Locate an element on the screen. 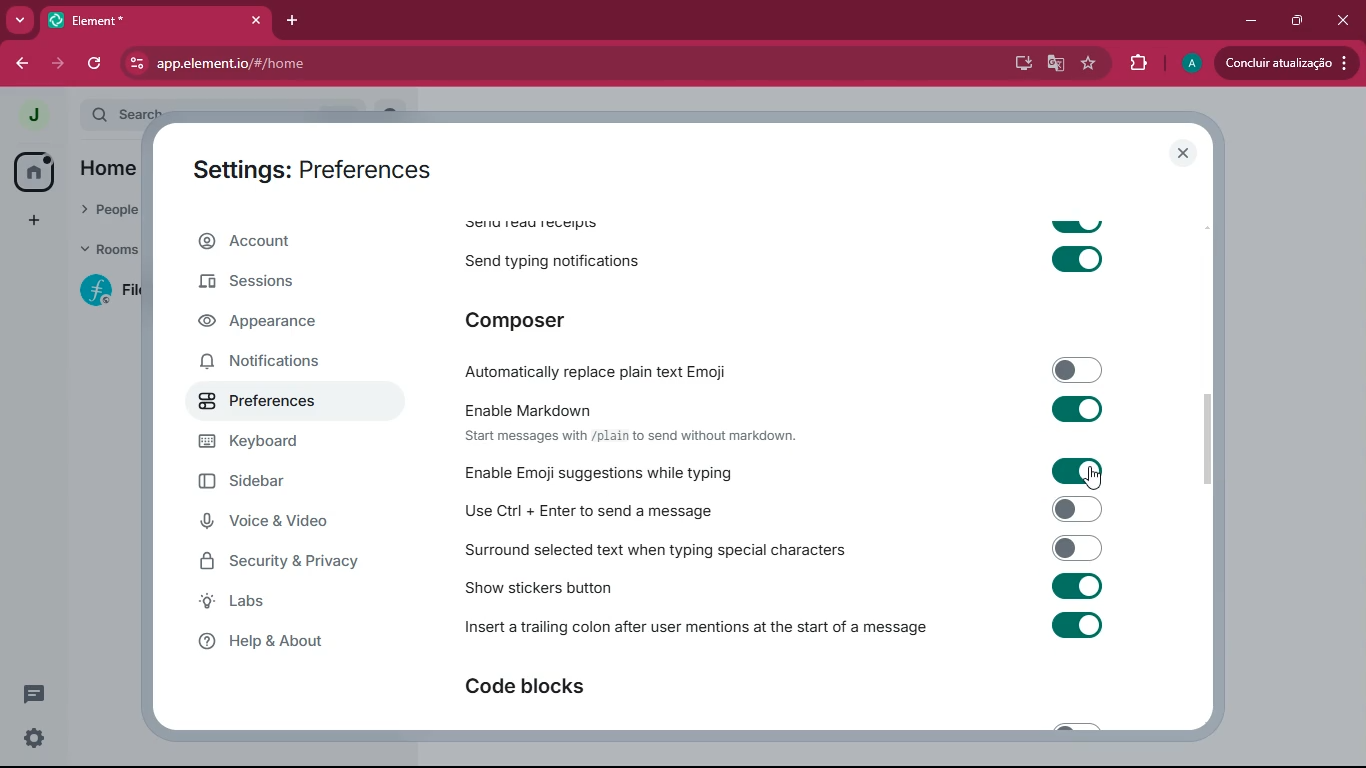 The width and height of the screenshot is (1366, 768). Update is located at coordinates (1289, 63).